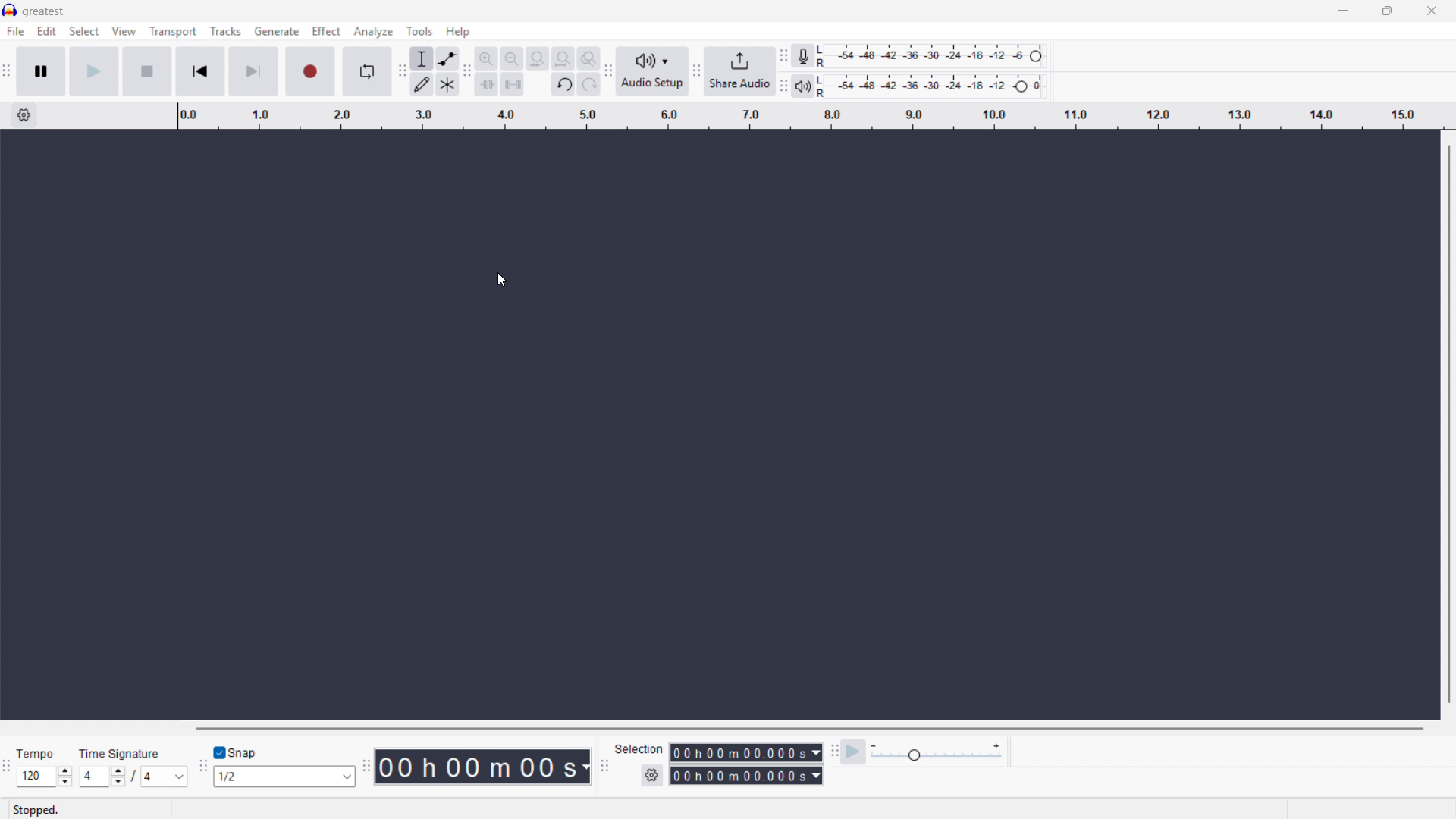 The image size is (1456, 819). What do you see at coordinates (422, 58) in the screenshot?
I see `Selection tool ` at bounding box center [422, 58].